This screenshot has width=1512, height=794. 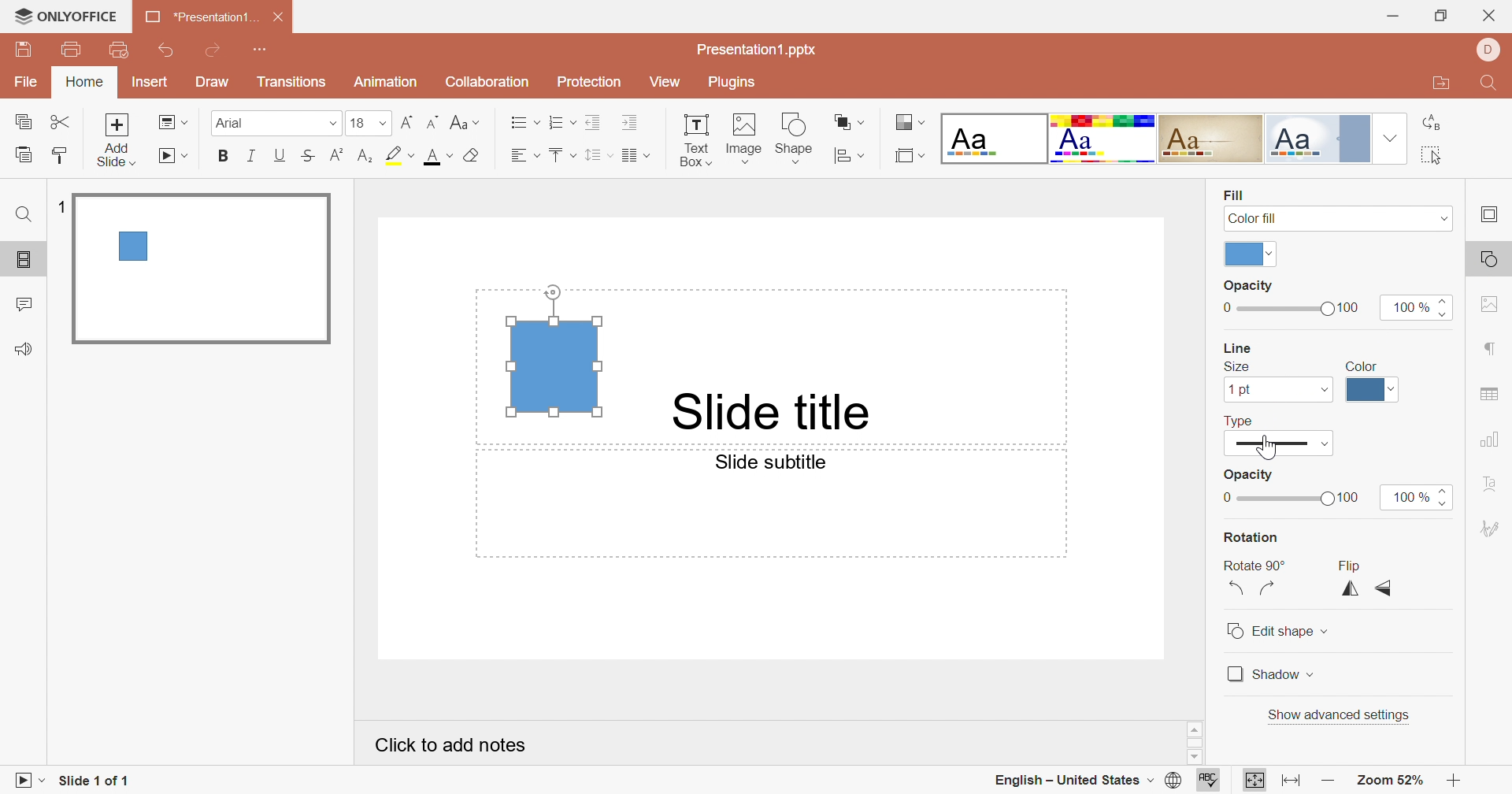 I want to click on Subscript, so click(x=363, y=158).